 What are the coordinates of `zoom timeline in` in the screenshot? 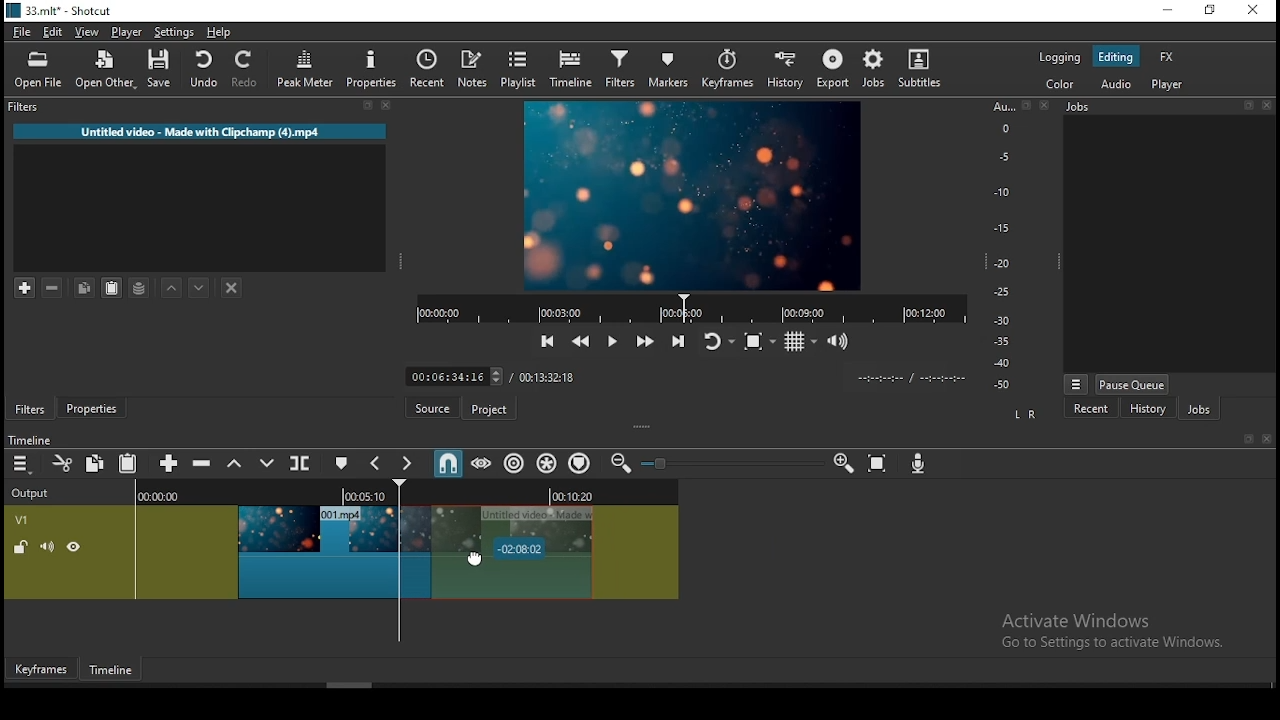 It's located at (843, 464).